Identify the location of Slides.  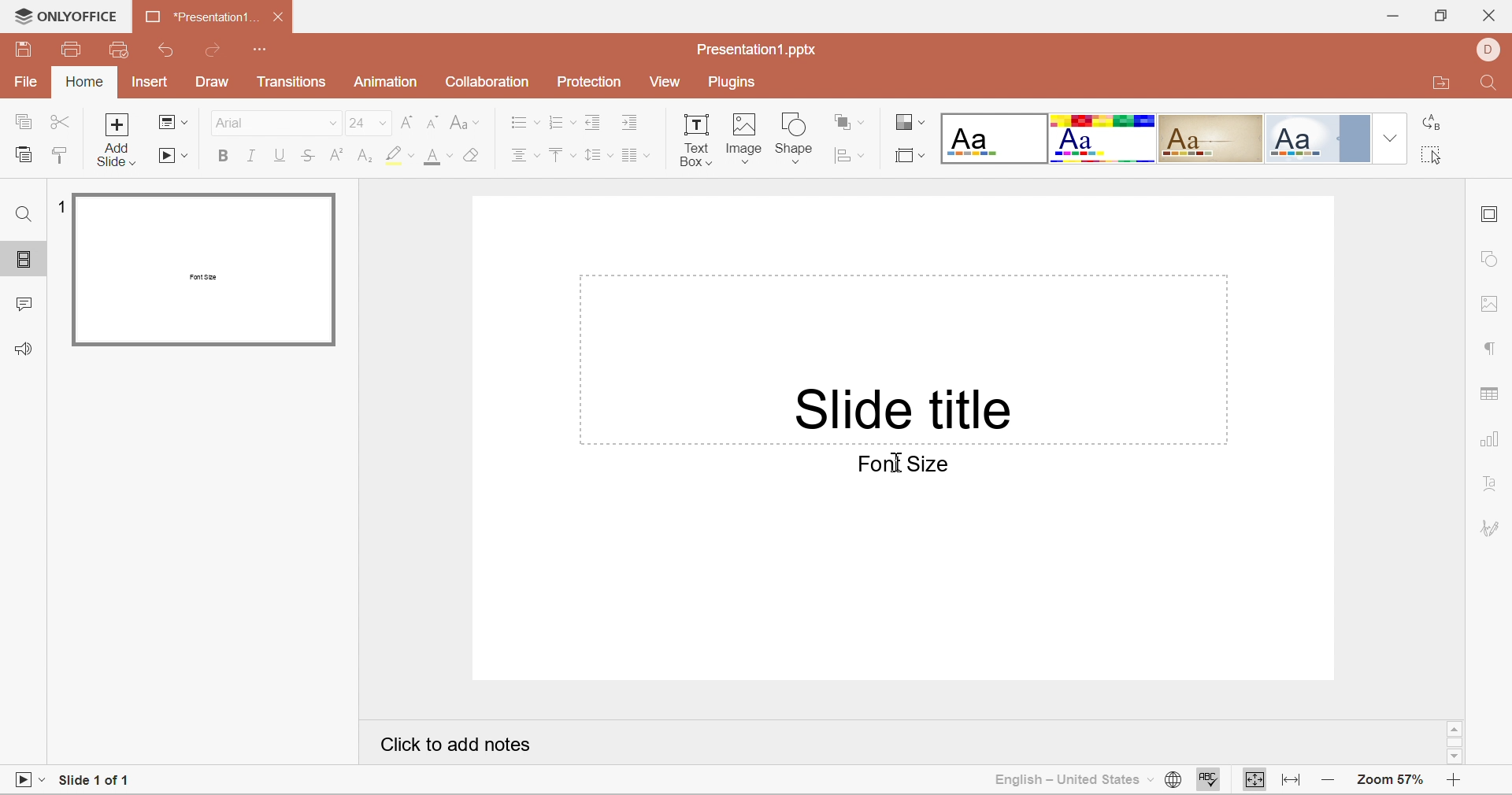
(26, 261).